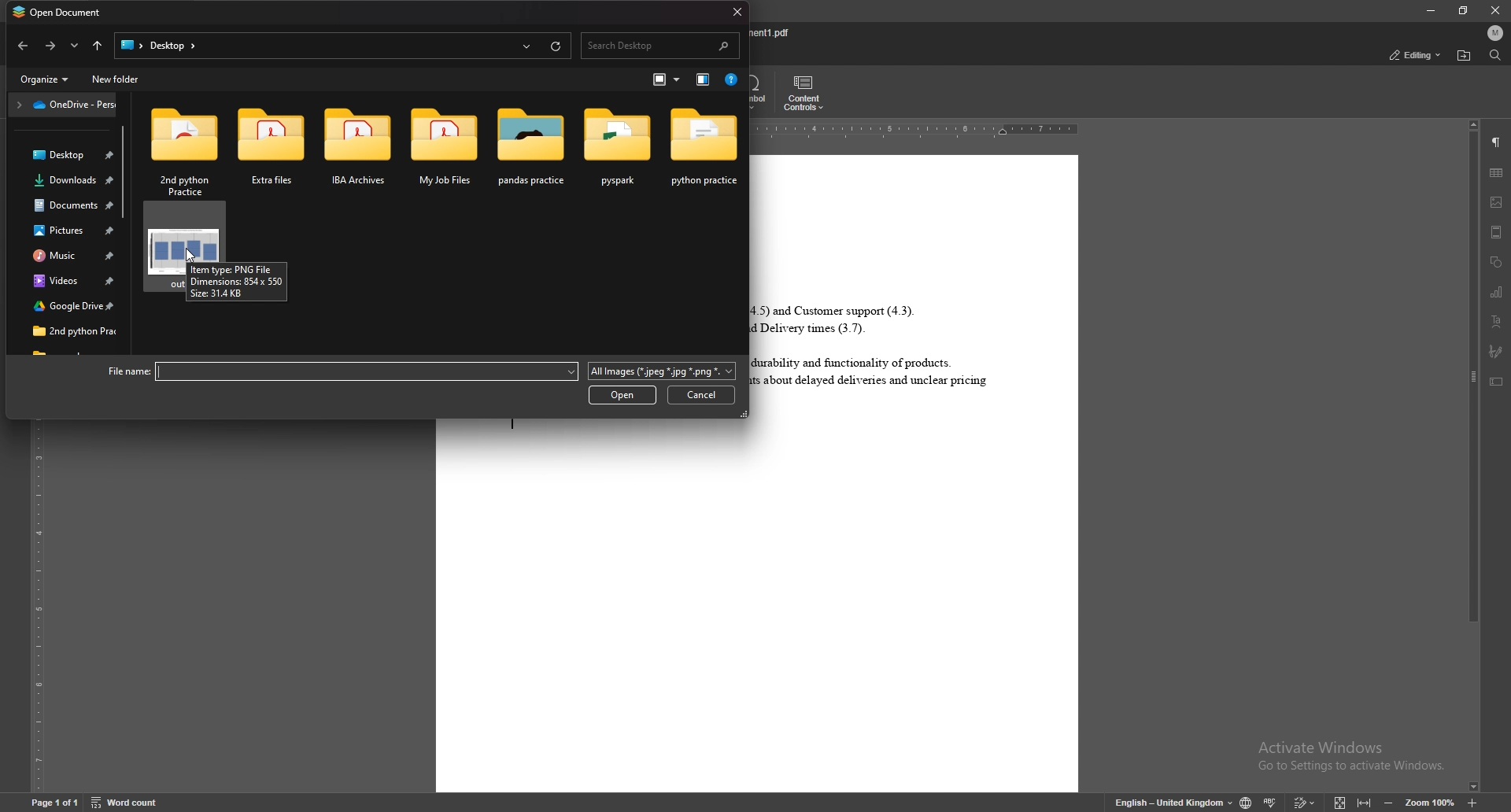  I want to click on open document, so click(62, 13).